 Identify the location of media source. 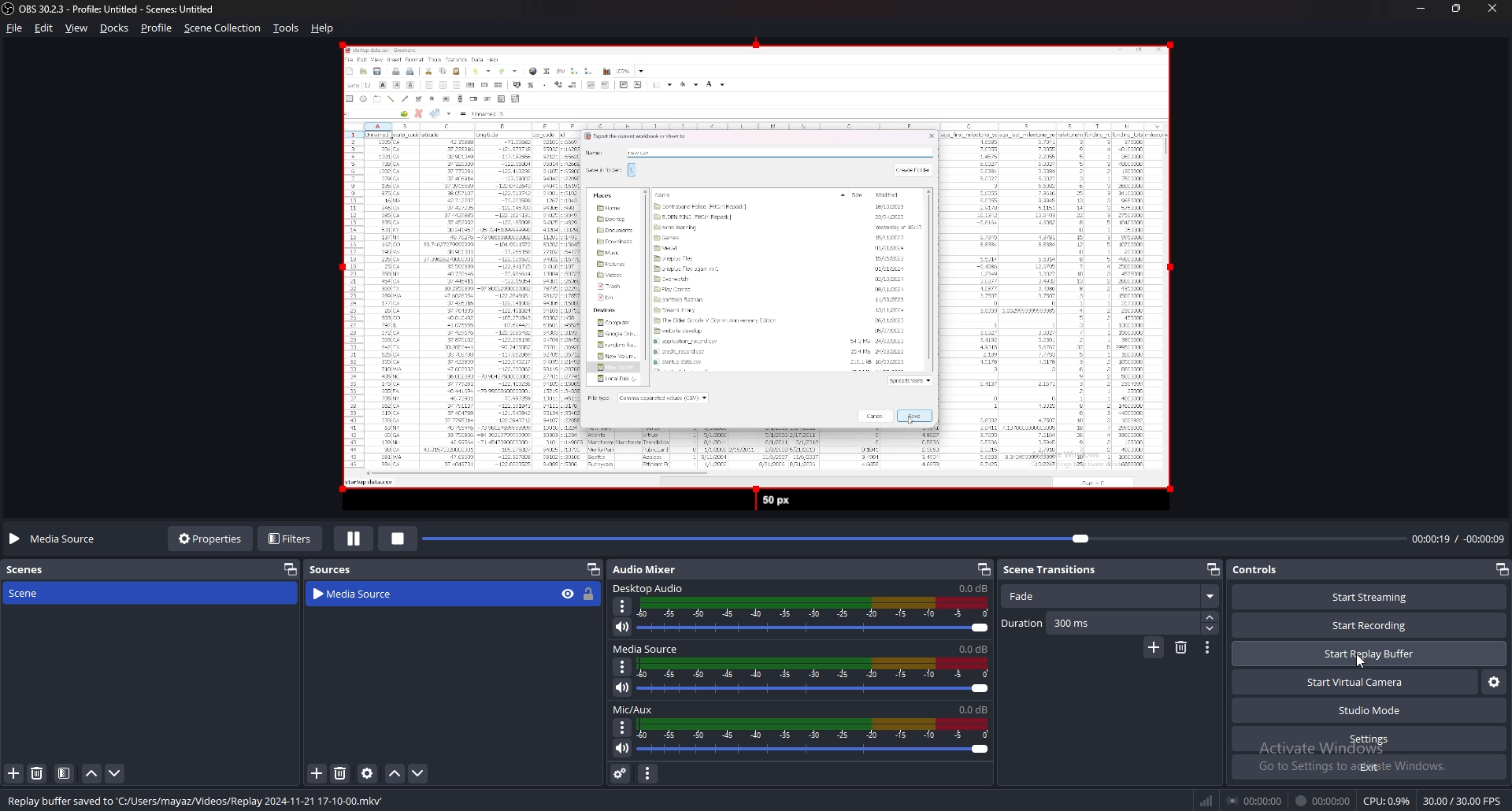
(413, 594).